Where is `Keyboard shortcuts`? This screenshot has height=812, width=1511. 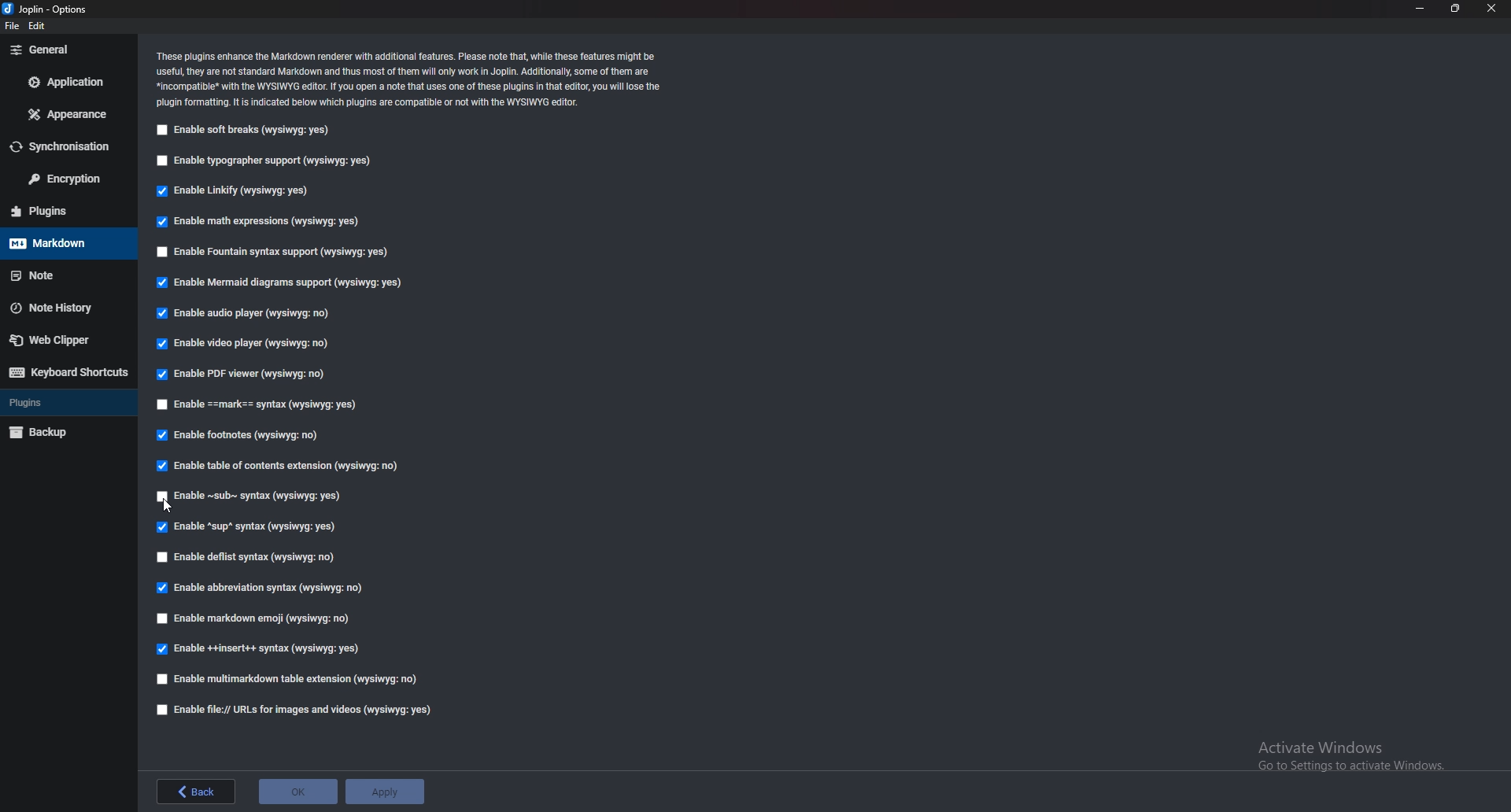
Keyboard shortcuts is located at coordinates (68, 374).